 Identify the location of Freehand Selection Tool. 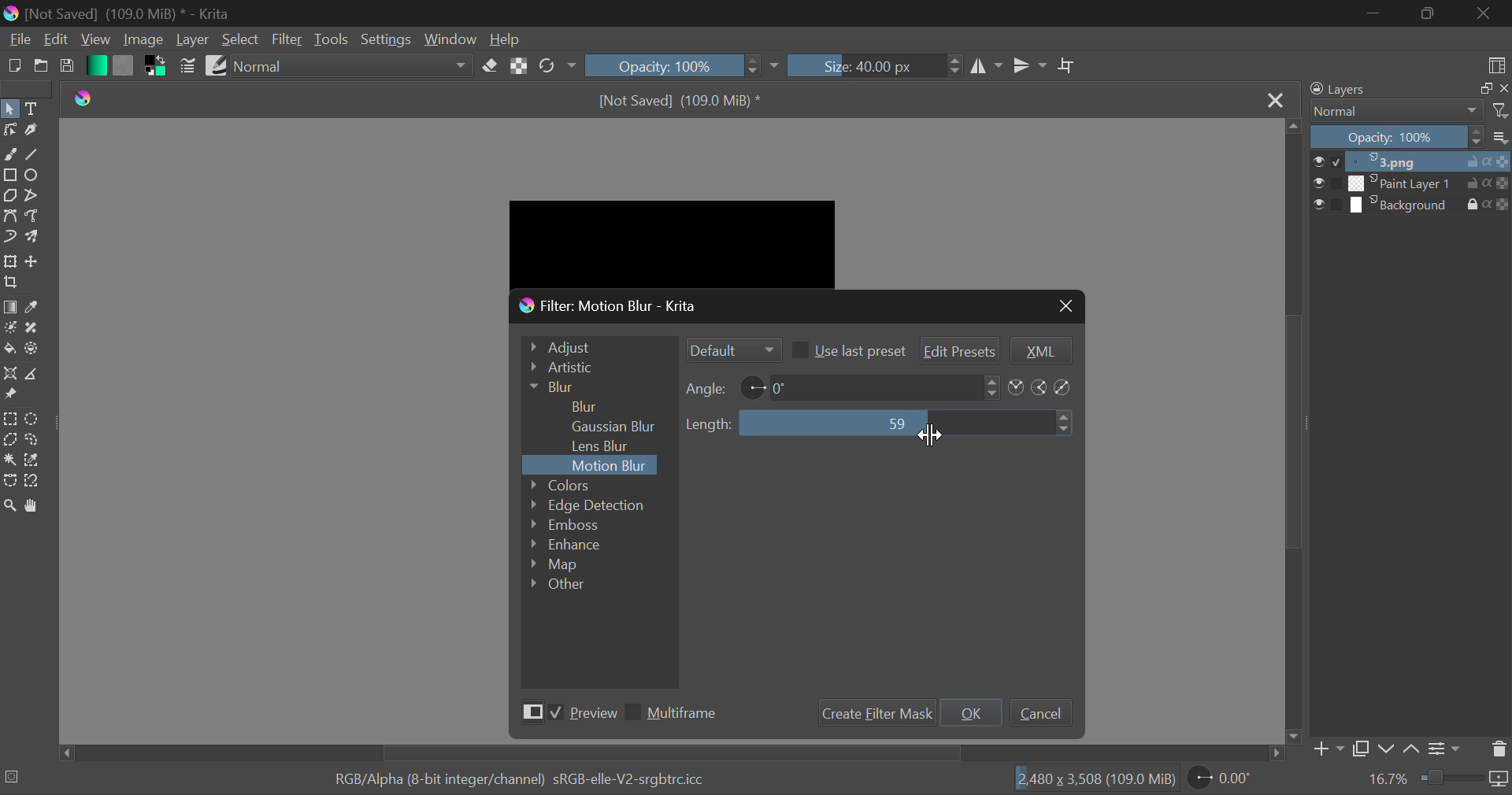
(32, 441).